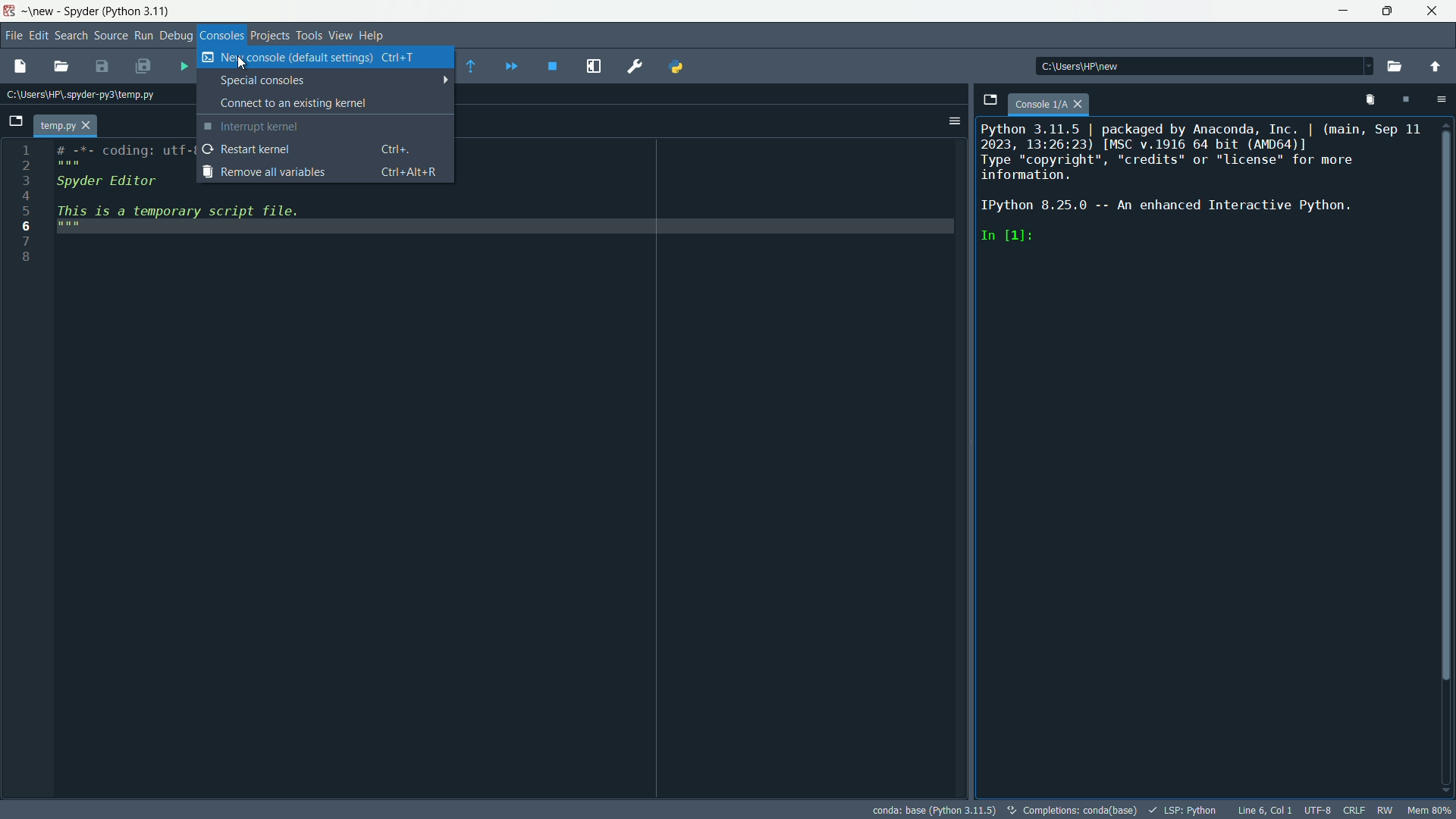 Image resolution: width=1456 pixels, height=819 pixels. What do you see at coordinates (271, 36) in the screenshot?
I see `projects menu` at bounding box center [271, 36].